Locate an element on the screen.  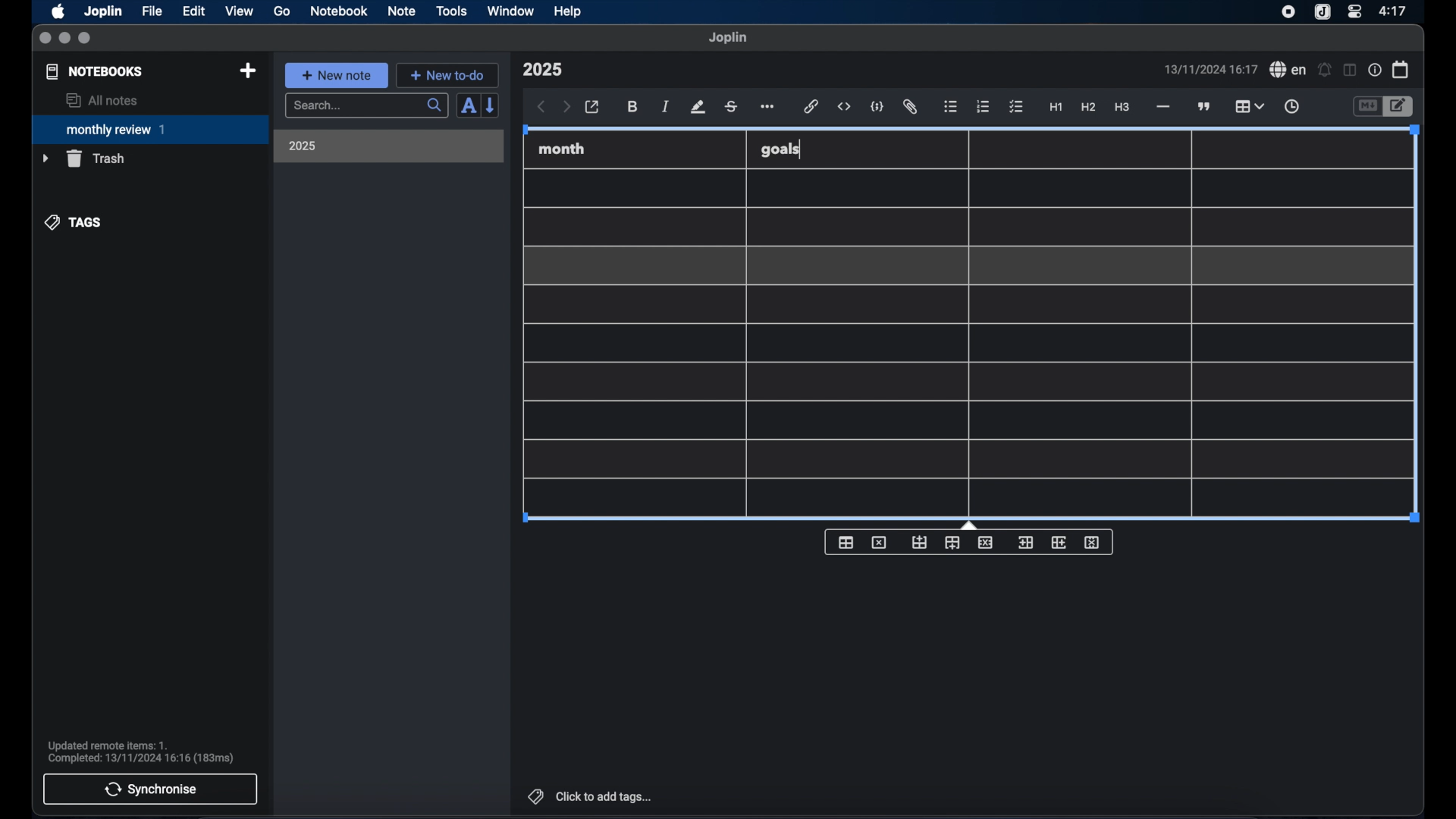
monthly review is located at coordinates (150, 128).